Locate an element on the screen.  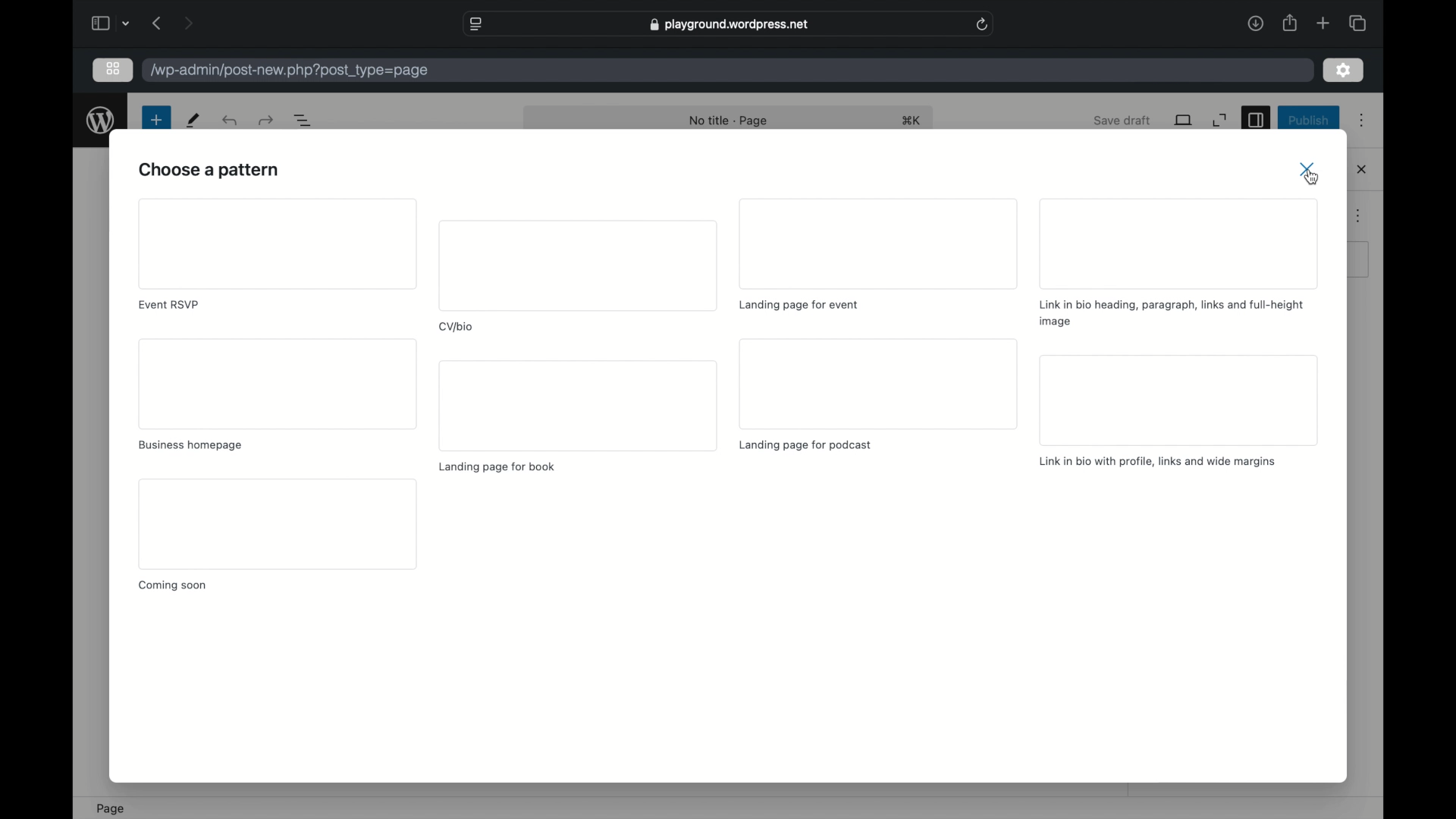
landing page for event is located at coordinates (799, 306).